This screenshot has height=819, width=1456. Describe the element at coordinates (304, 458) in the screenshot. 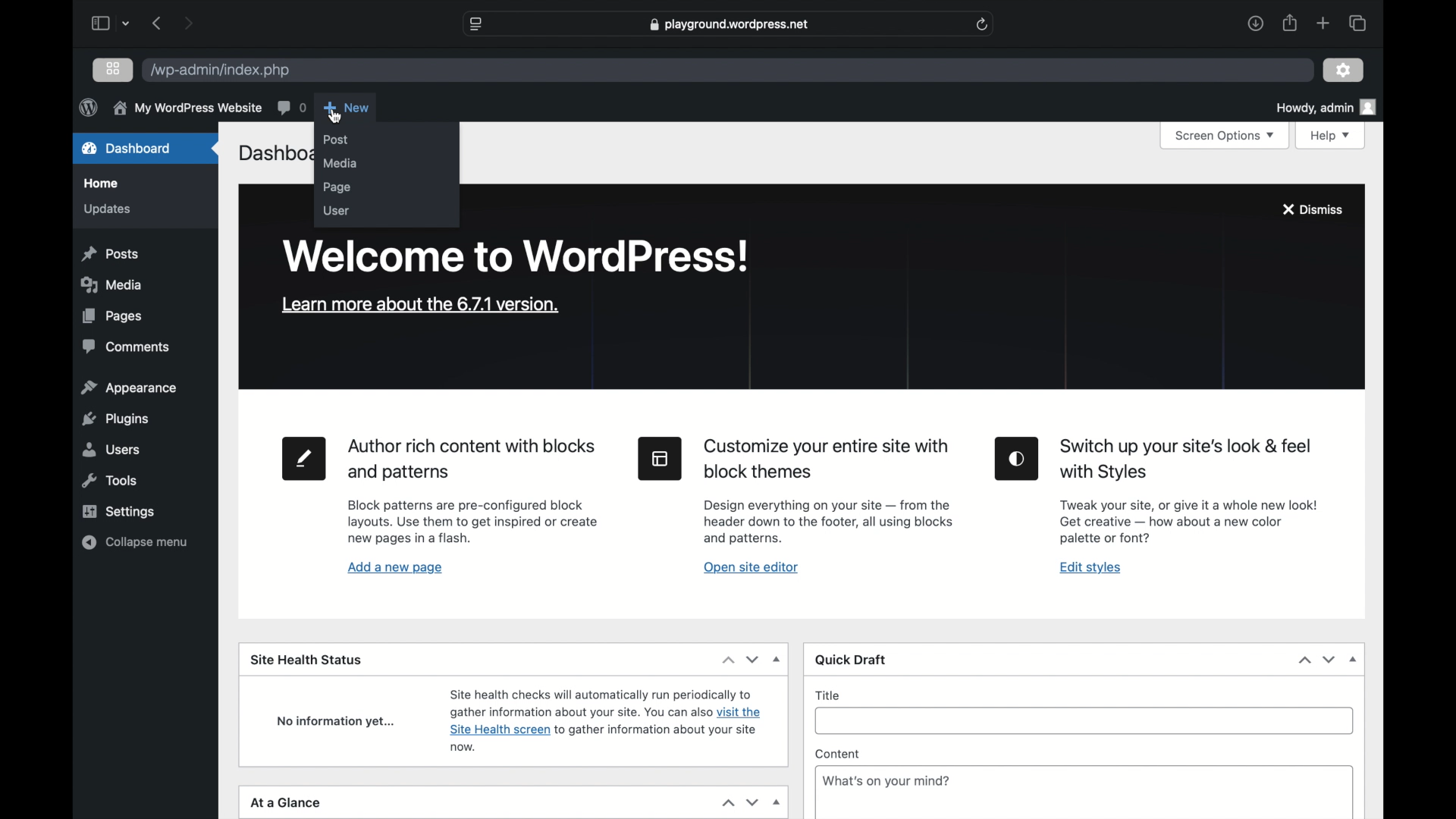

I see `new page` at that location.